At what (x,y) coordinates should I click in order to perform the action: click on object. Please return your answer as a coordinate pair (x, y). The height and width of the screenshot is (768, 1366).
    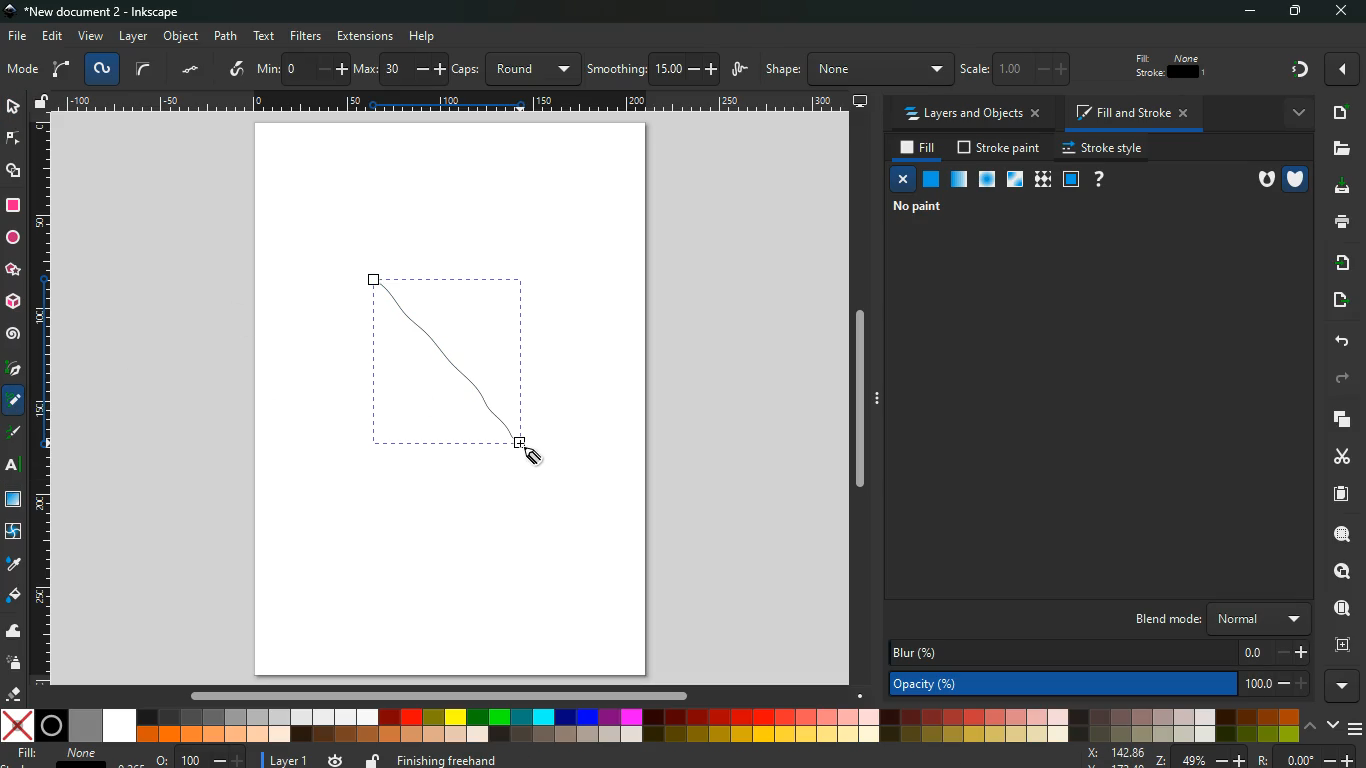
    Looking at the image, I should click on (182, 35).